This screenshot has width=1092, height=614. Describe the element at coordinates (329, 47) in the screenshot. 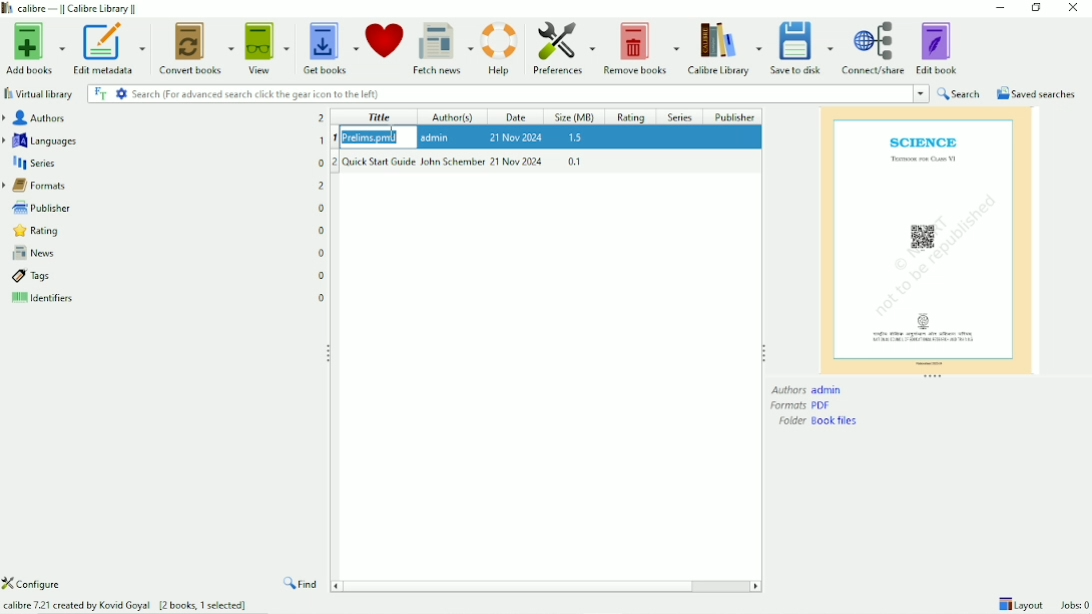

I see `Get books` at that location.